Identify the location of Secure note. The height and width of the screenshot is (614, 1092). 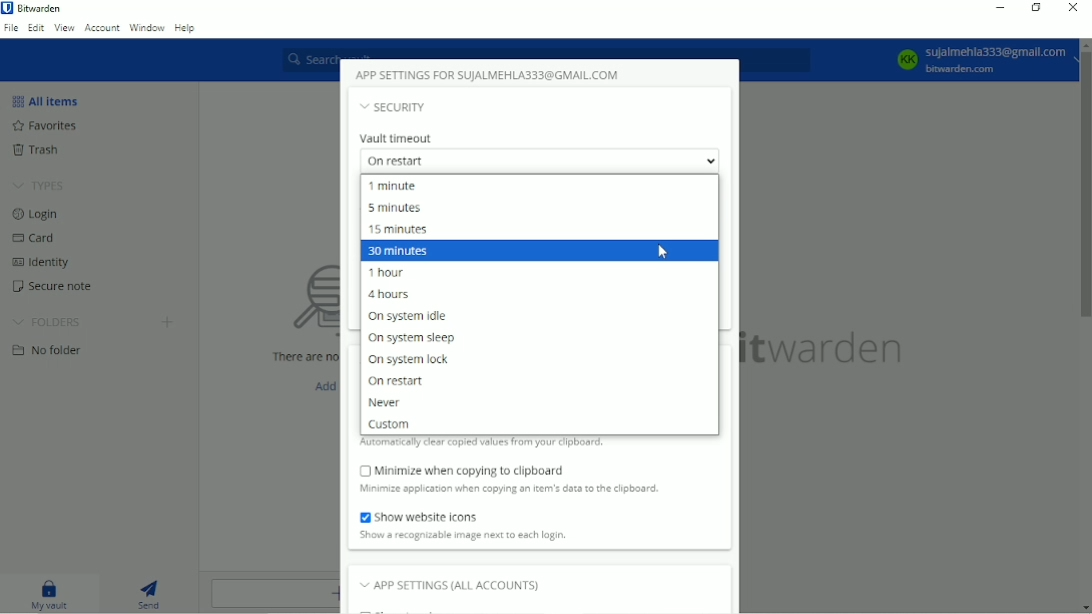
(51, 284).